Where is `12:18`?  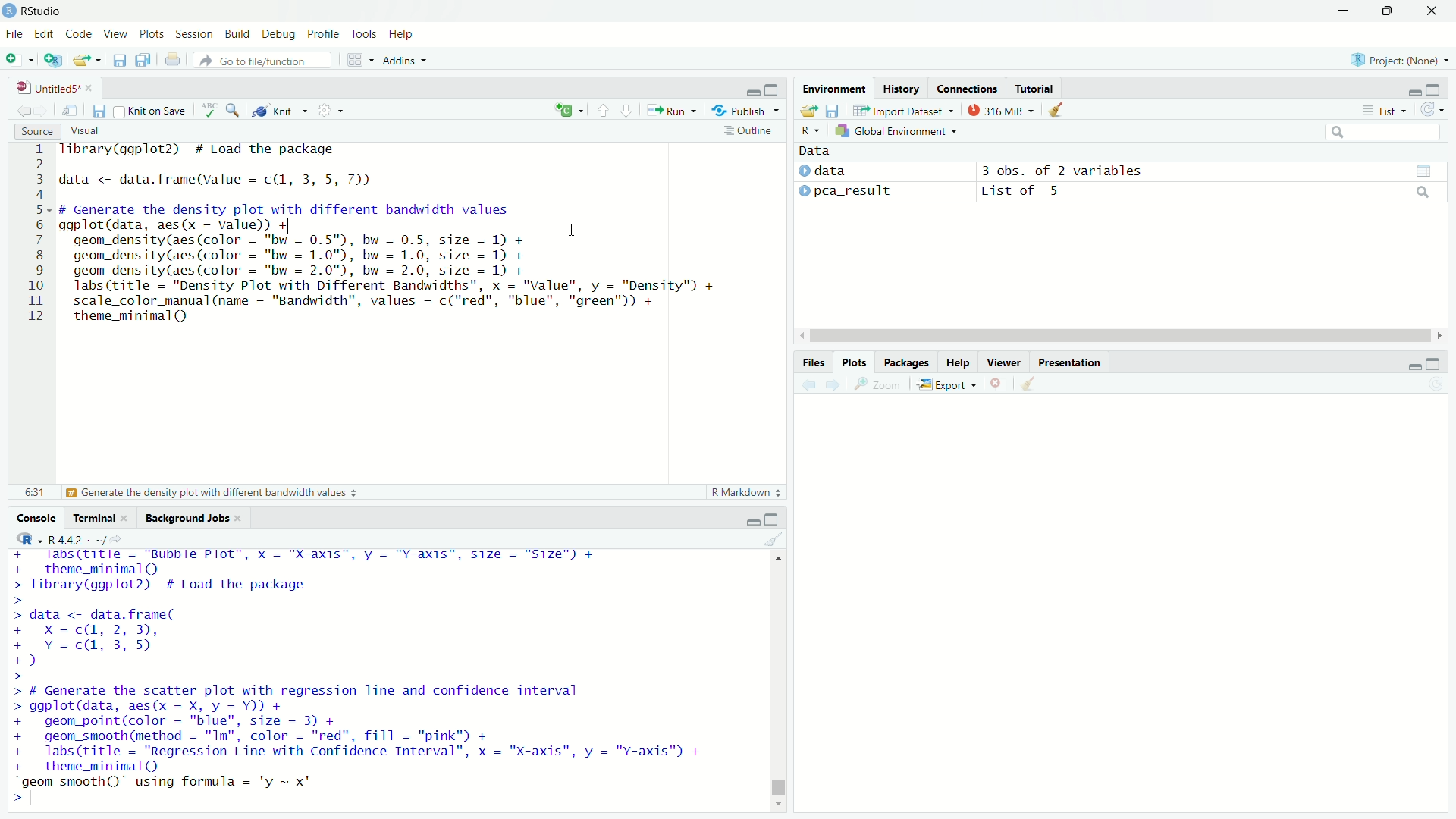
12:18 is located at coordinates (35, 491).